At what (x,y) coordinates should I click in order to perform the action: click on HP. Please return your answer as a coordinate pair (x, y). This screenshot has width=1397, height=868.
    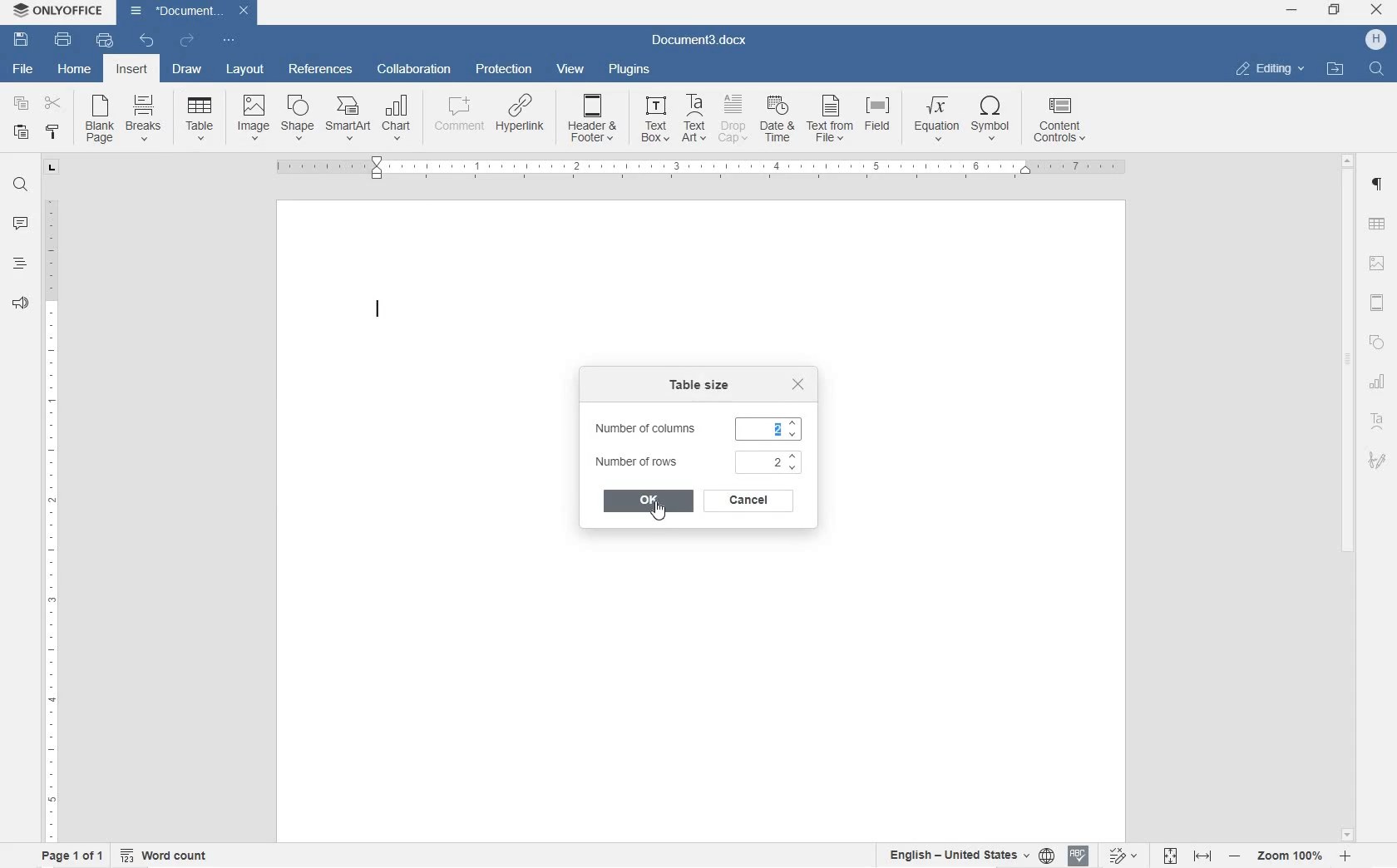
    Looking at the image, I should click on (1375, 40).